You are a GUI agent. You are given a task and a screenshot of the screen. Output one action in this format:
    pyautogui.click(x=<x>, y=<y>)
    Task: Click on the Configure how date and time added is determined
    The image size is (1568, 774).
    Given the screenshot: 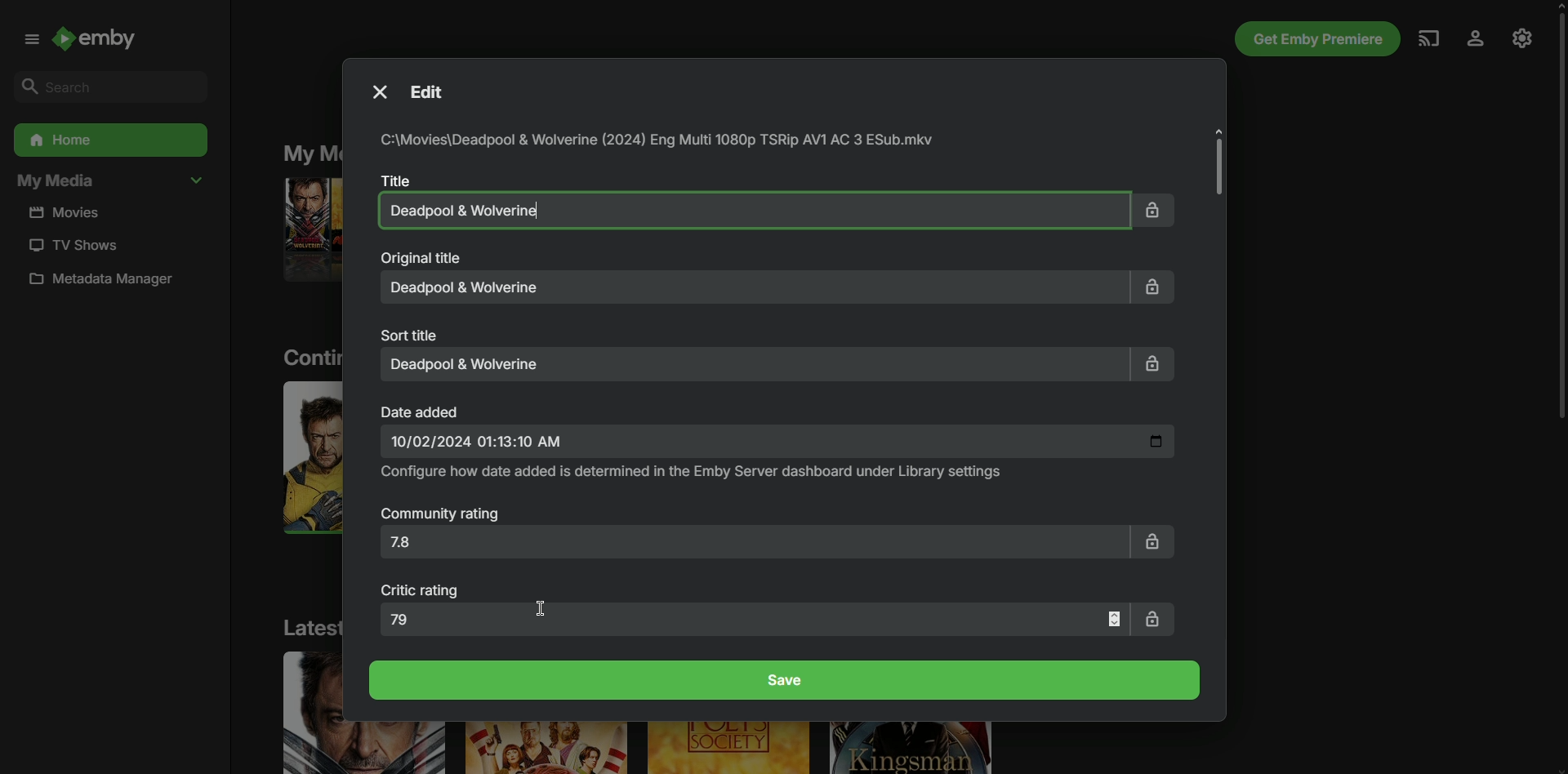 What is the action you would take?
    pyautogui.click(x=693, y=473)
    